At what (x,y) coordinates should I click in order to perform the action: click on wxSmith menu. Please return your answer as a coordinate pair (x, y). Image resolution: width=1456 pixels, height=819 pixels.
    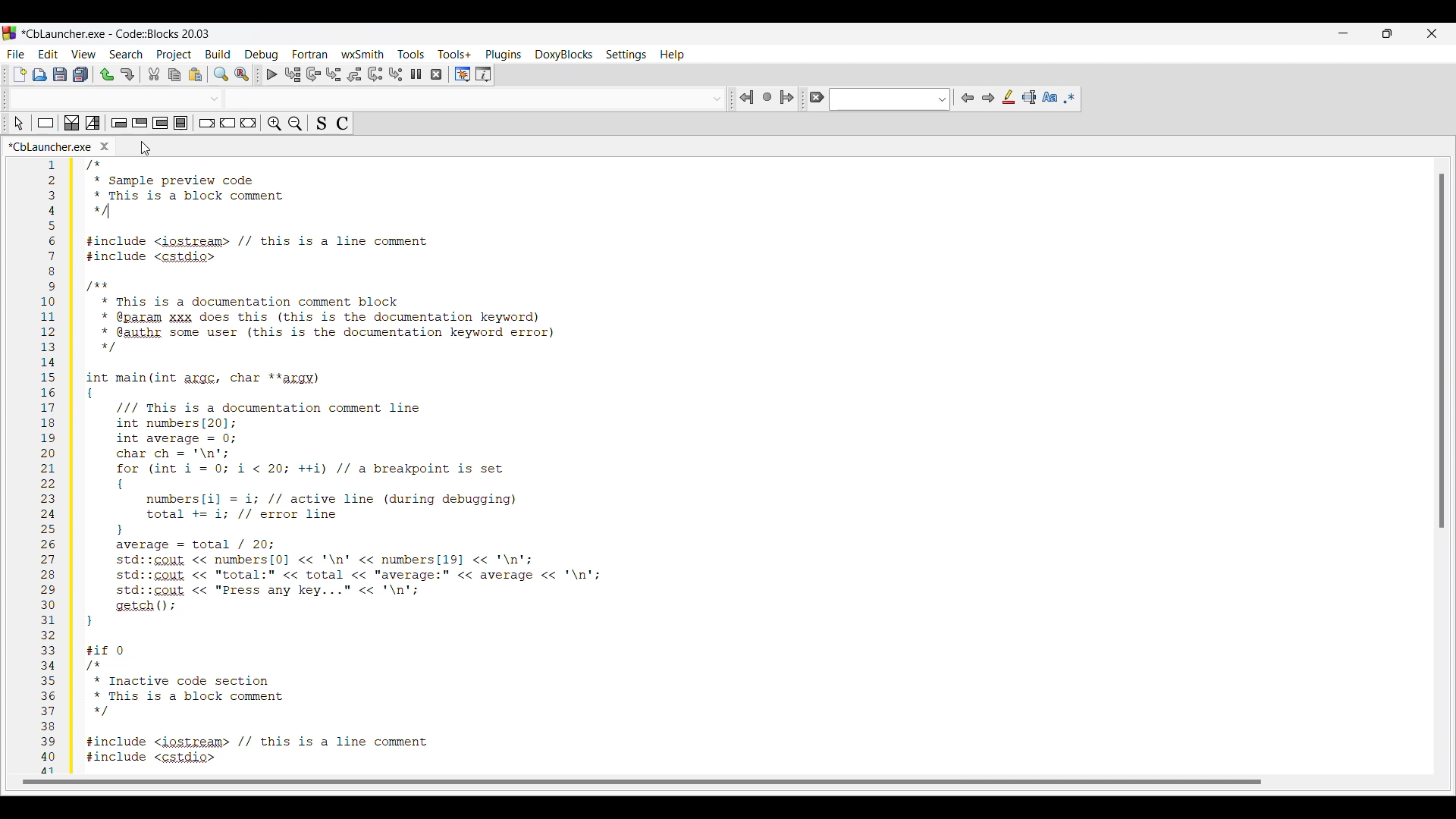
    Looking at the image, I should click on (362, 54).